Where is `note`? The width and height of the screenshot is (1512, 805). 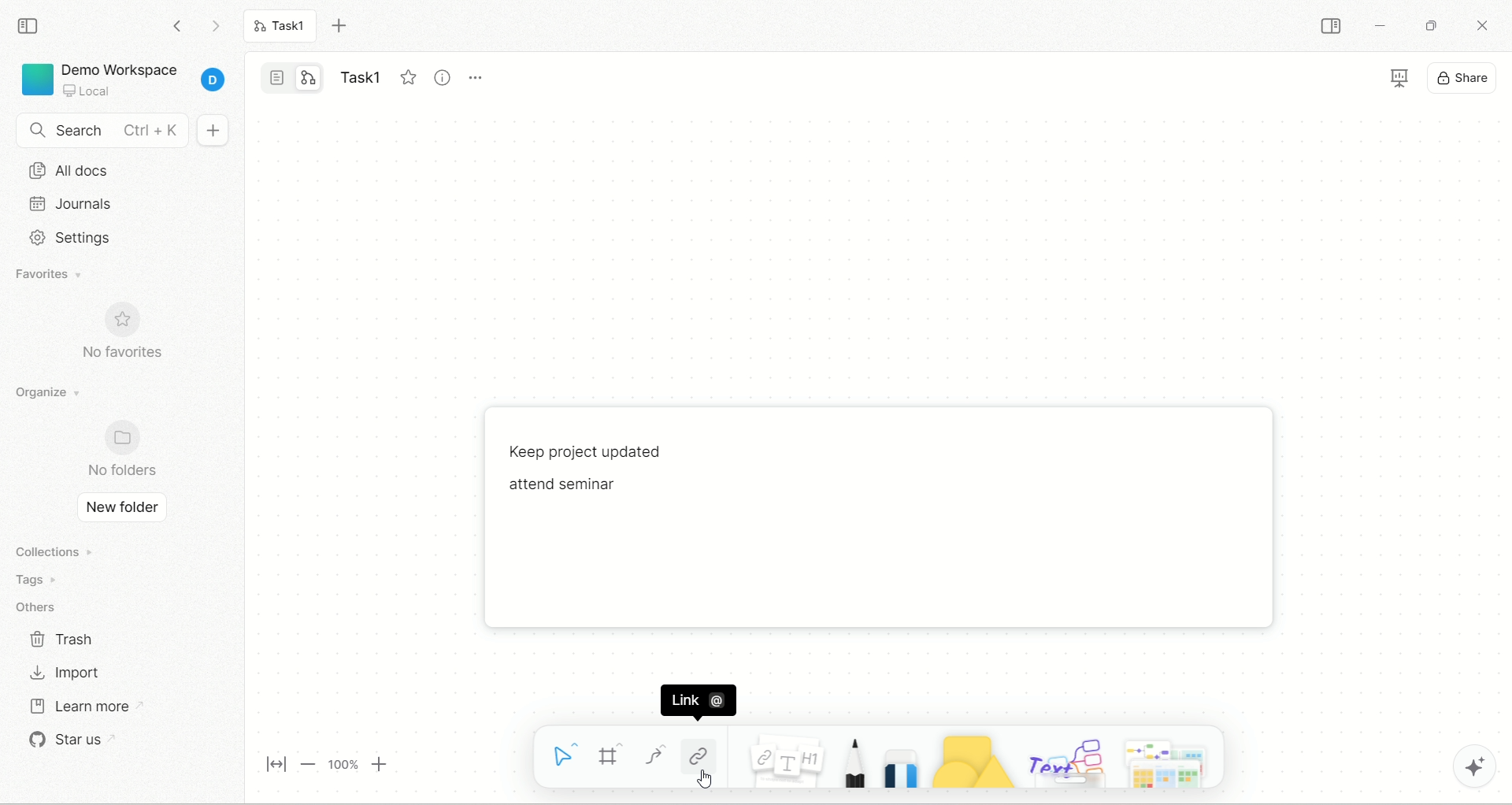 note is located at coordinates (786, 762).